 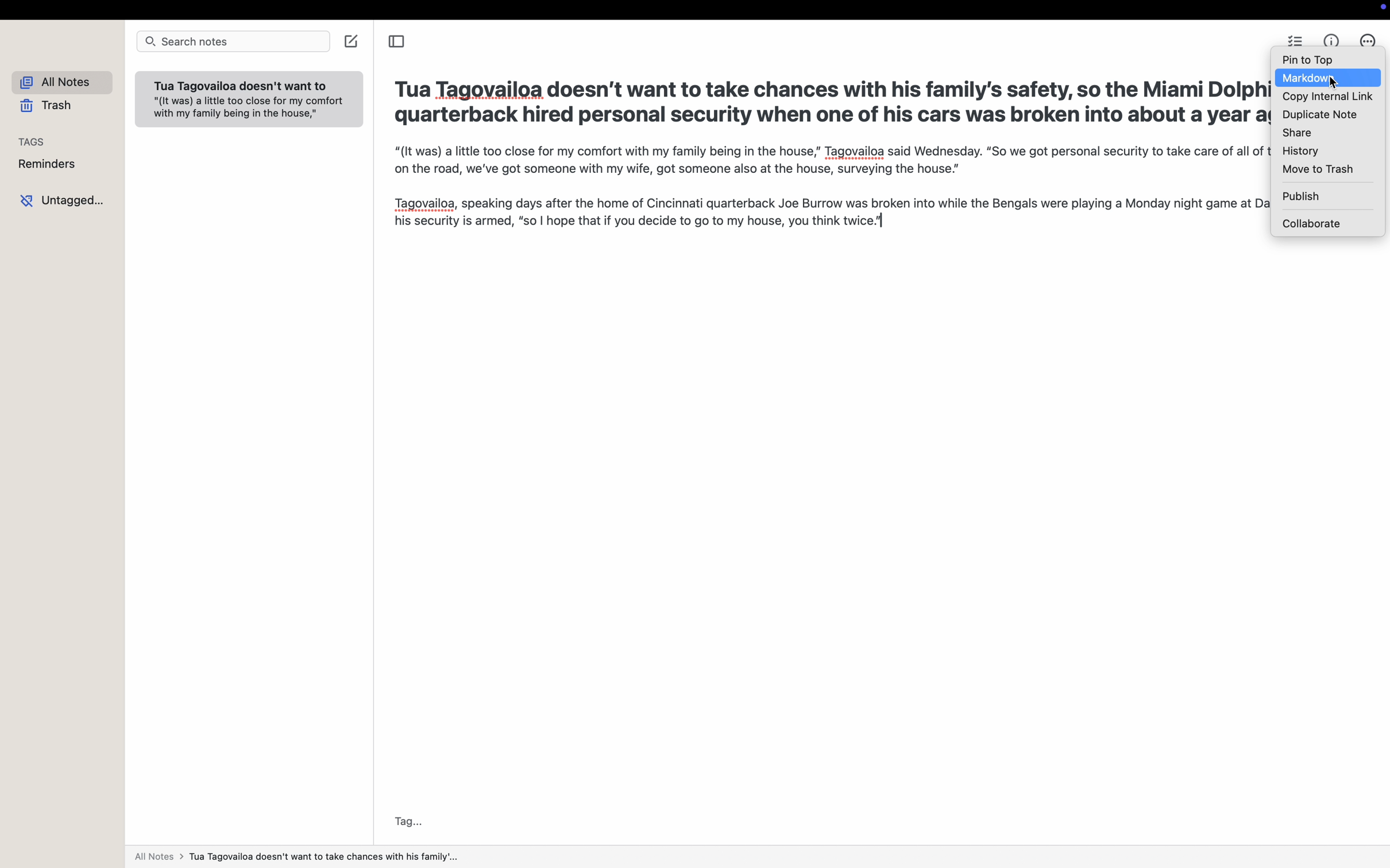 What do you see at coordinates (832, 200) in the screenshot?
I see `“(It was) a little too close for my comfort with my family being in the house,” Tagovailoa said Wednesday. “So we got personal security to take care of all of that. When we'reon the road, we've got someone with my wife, got someone also at the house, surveying the house.”Tagovailoa, speaking days after the home of Cincinnati quarterback Joe Burrow was broken into while the Bengals were playing a Monday night game at Dallas, also notedhis security is armed, “so | hope that if you decide to go to my house, you think twice] ` at bounding box center [832, 200].